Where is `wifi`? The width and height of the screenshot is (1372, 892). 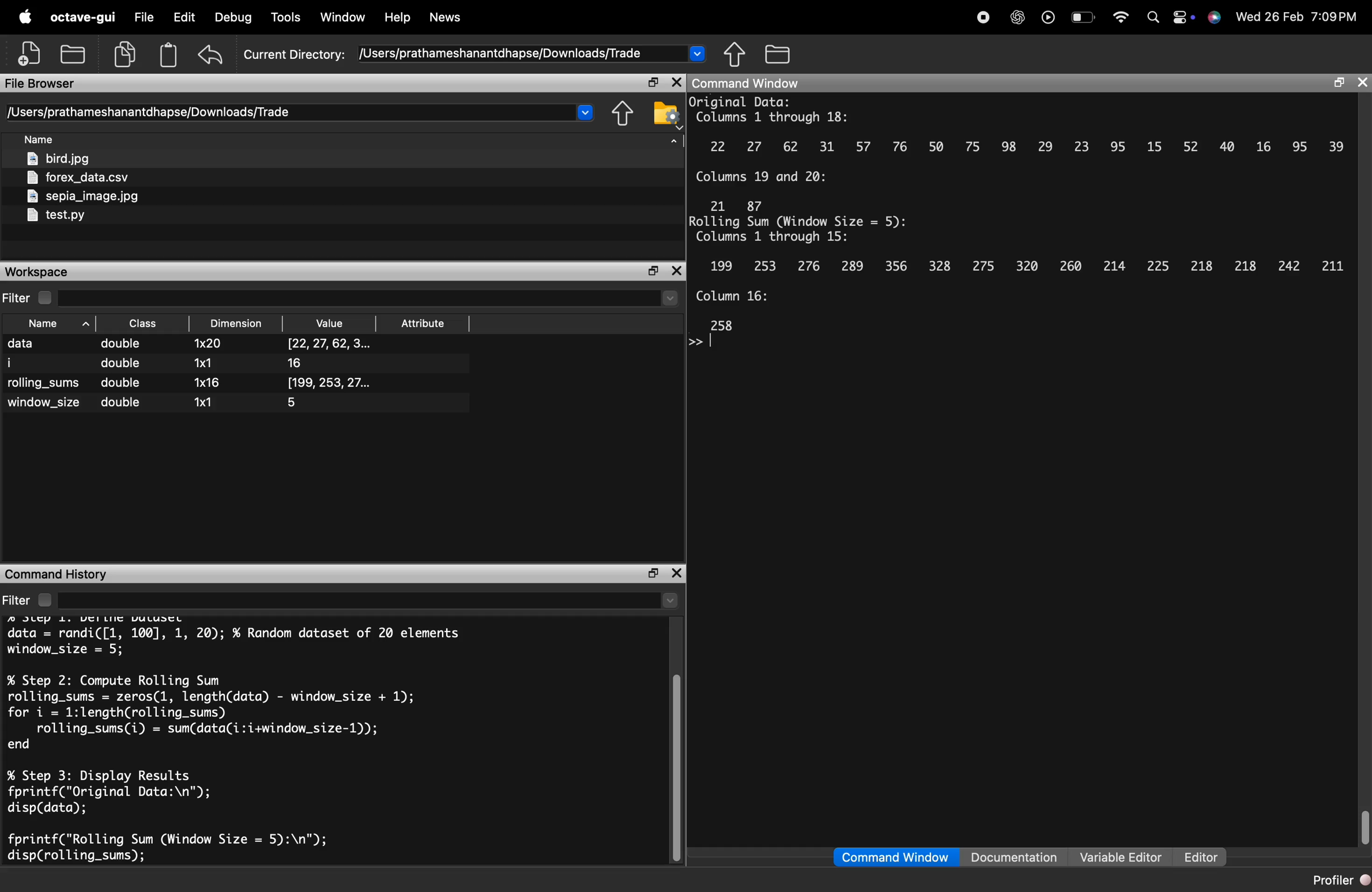 wifi is located at coordinates (1121, 18).